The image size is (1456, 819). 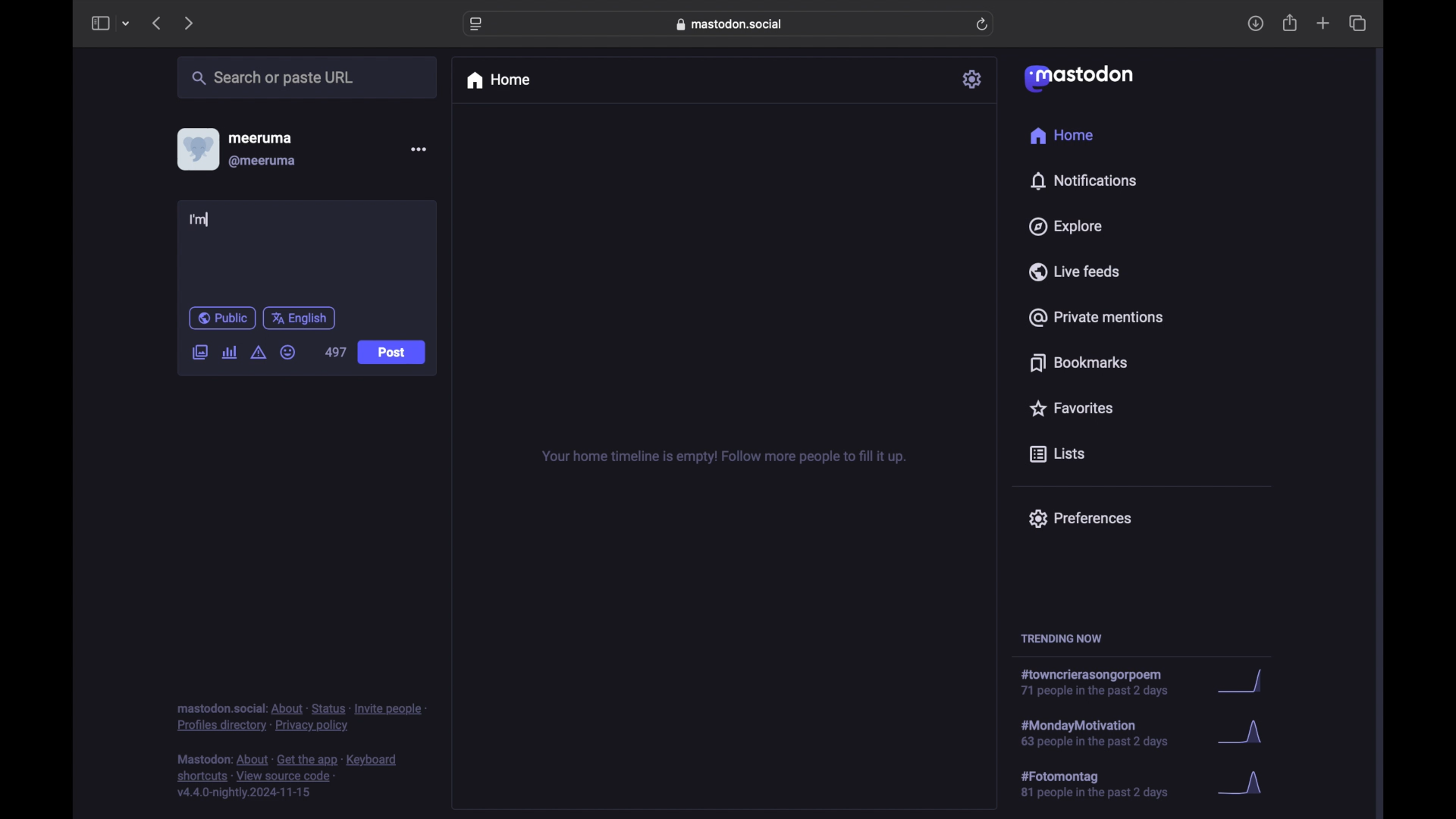 What do you see at coordinates (156, 23) in the screenshot?
I see `previous` at bounding box center [156, 23].